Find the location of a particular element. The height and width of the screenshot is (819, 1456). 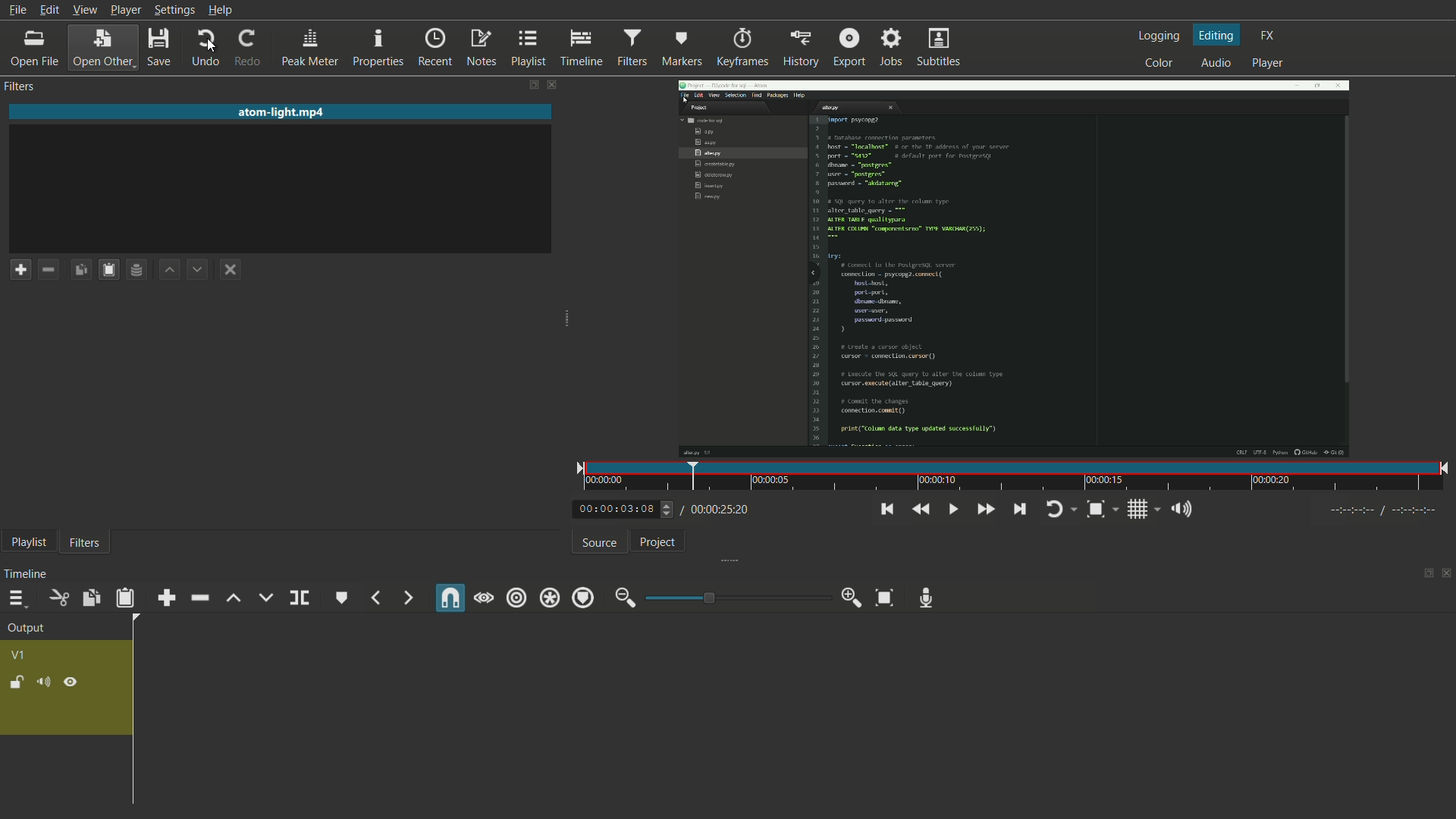

cursor is located at coordinates (209, 45).